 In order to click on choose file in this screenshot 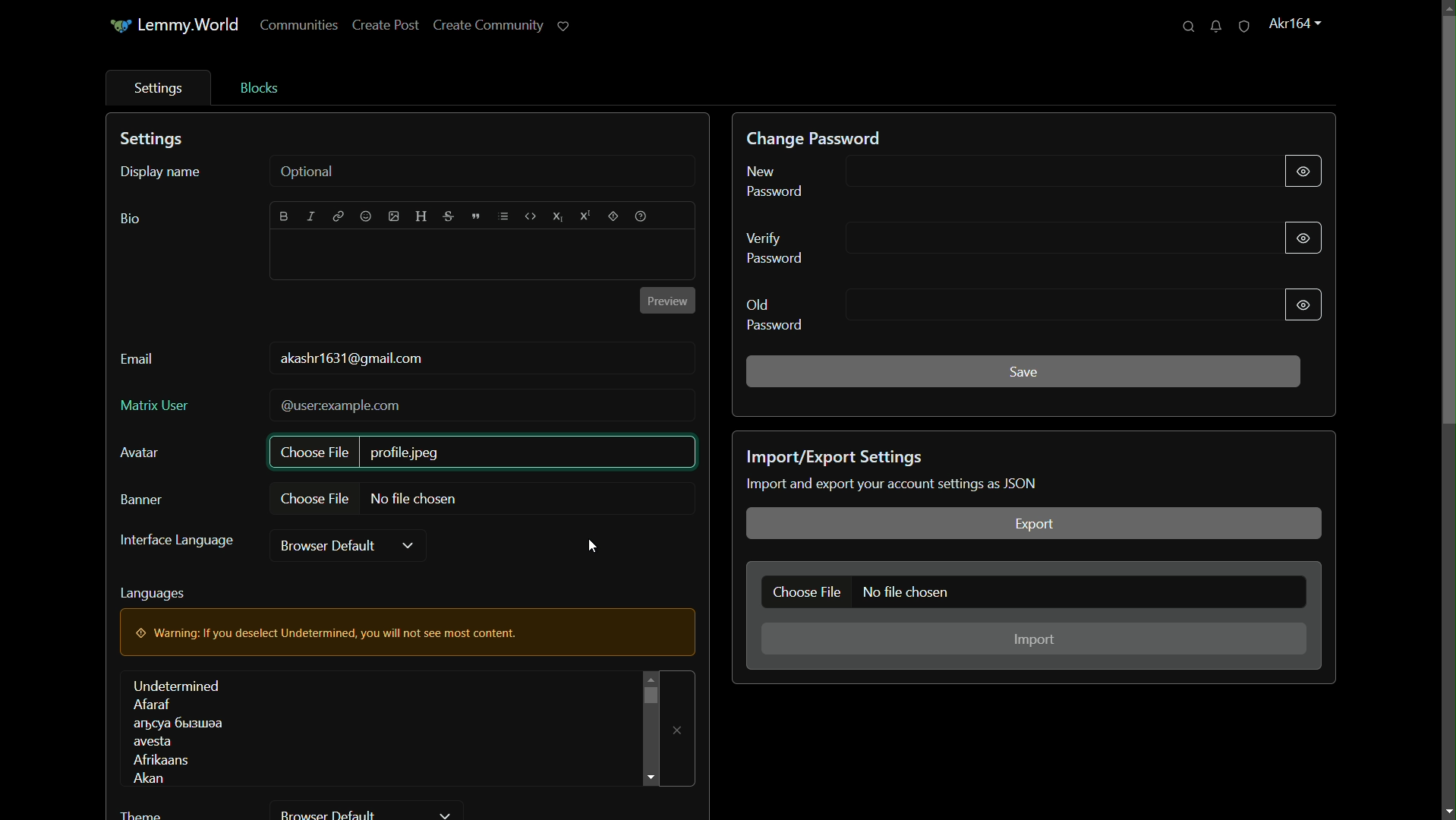, I will do `click(315, 500)`.